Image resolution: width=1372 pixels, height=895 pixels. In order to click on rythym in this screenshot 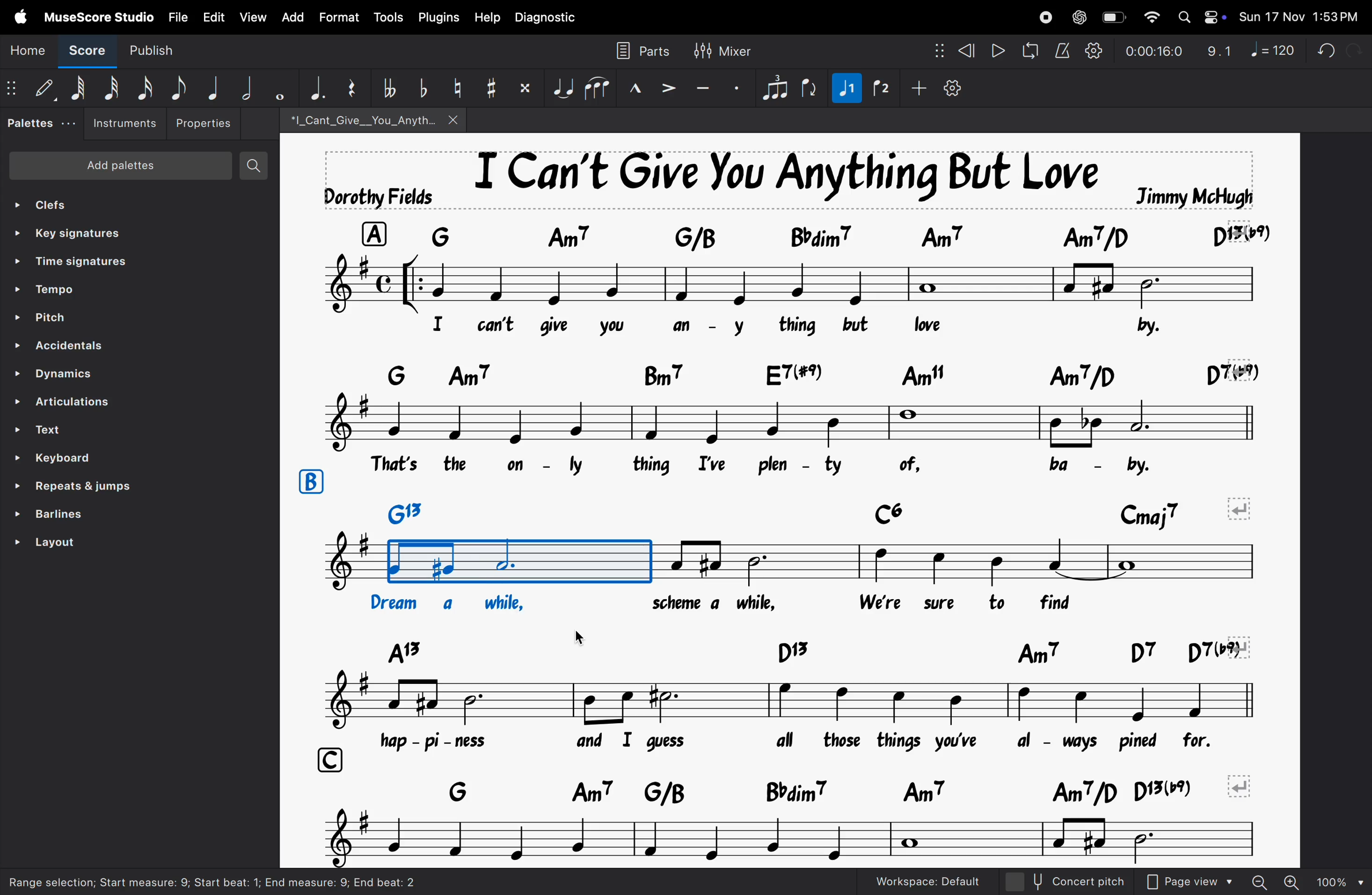, I will do `click(844, 91)`.